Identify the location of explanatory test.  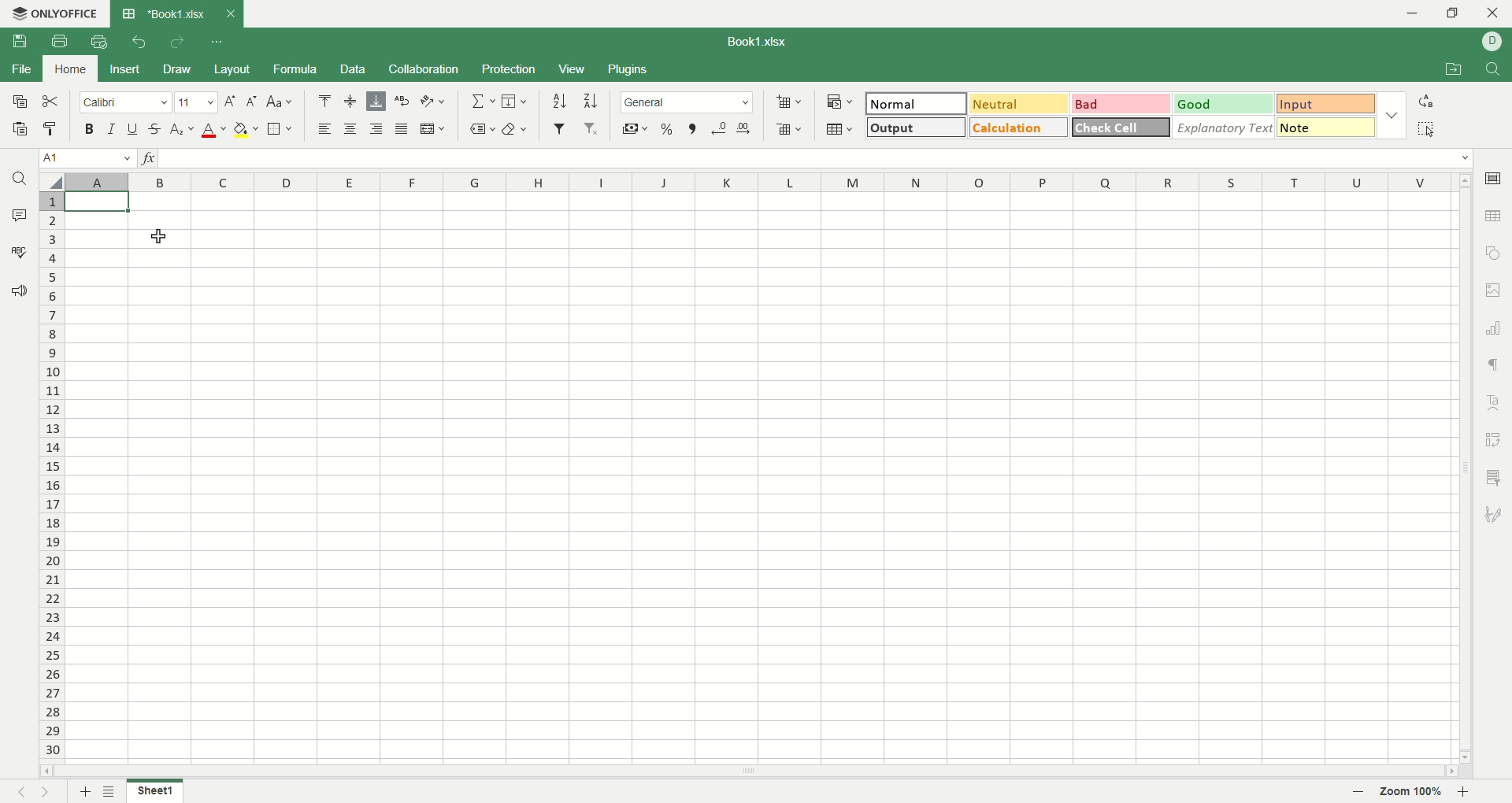
(1225, 128).